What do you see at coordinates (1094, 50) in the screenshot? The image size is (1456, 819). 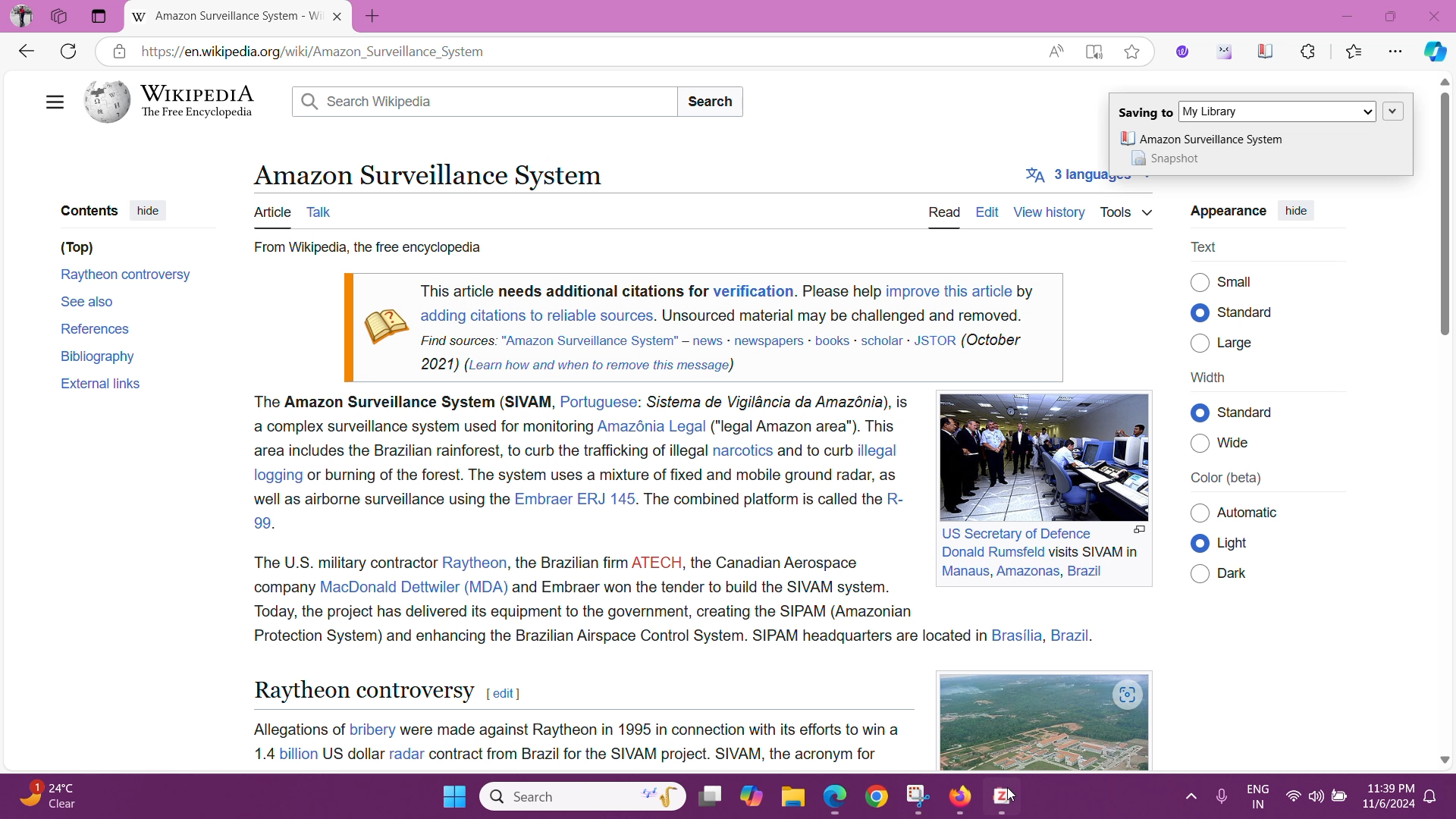 I see `Enter Immersive Reader` at bounding box center [1094, 50].